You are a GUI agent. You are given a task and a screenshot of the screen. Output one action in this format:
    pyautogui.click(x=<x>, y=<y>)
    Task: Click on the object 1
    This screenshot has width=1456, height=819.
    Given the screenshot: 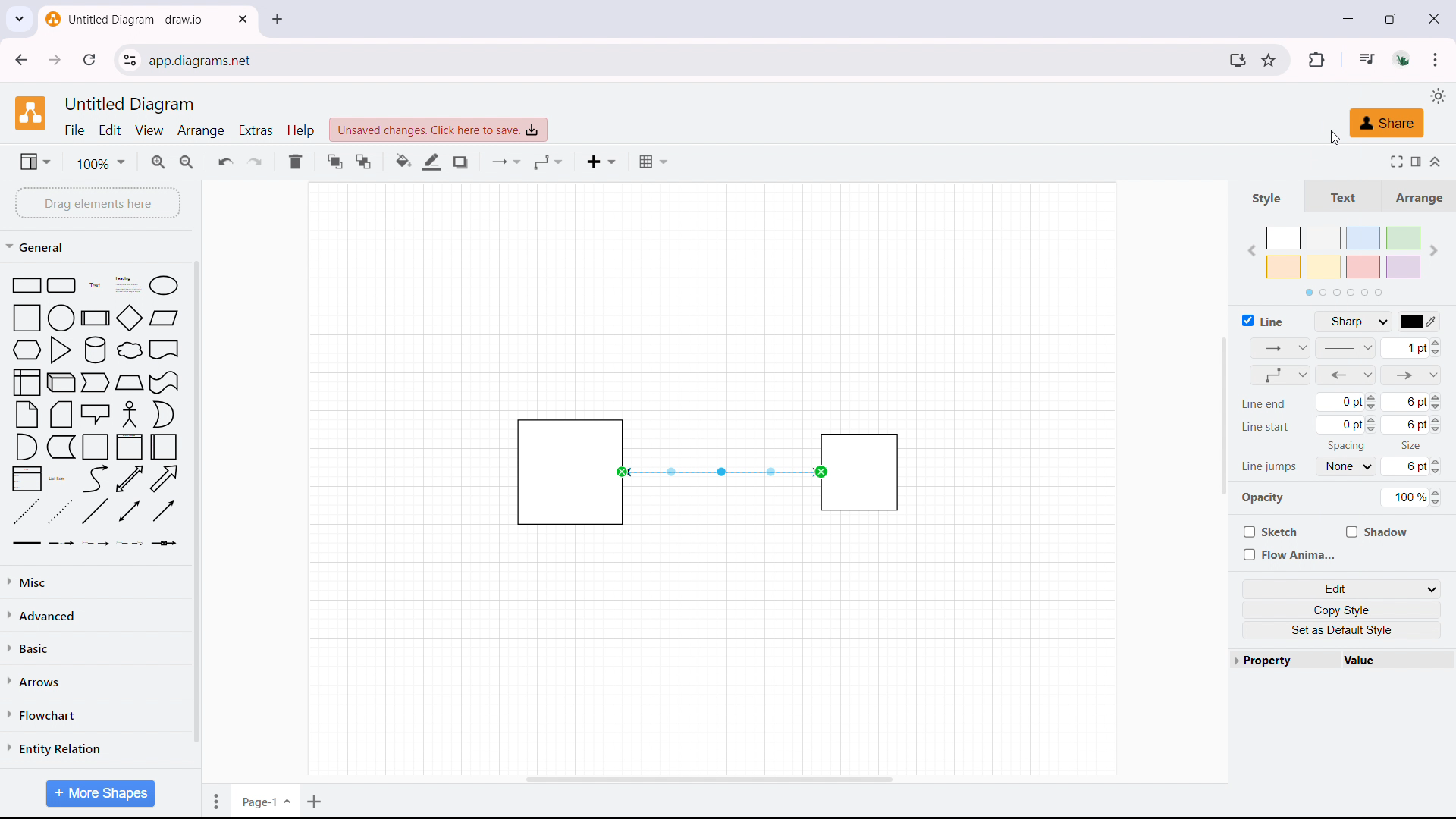 What is the action you would take?
    pyautogui.click(x=549, y=471)
    